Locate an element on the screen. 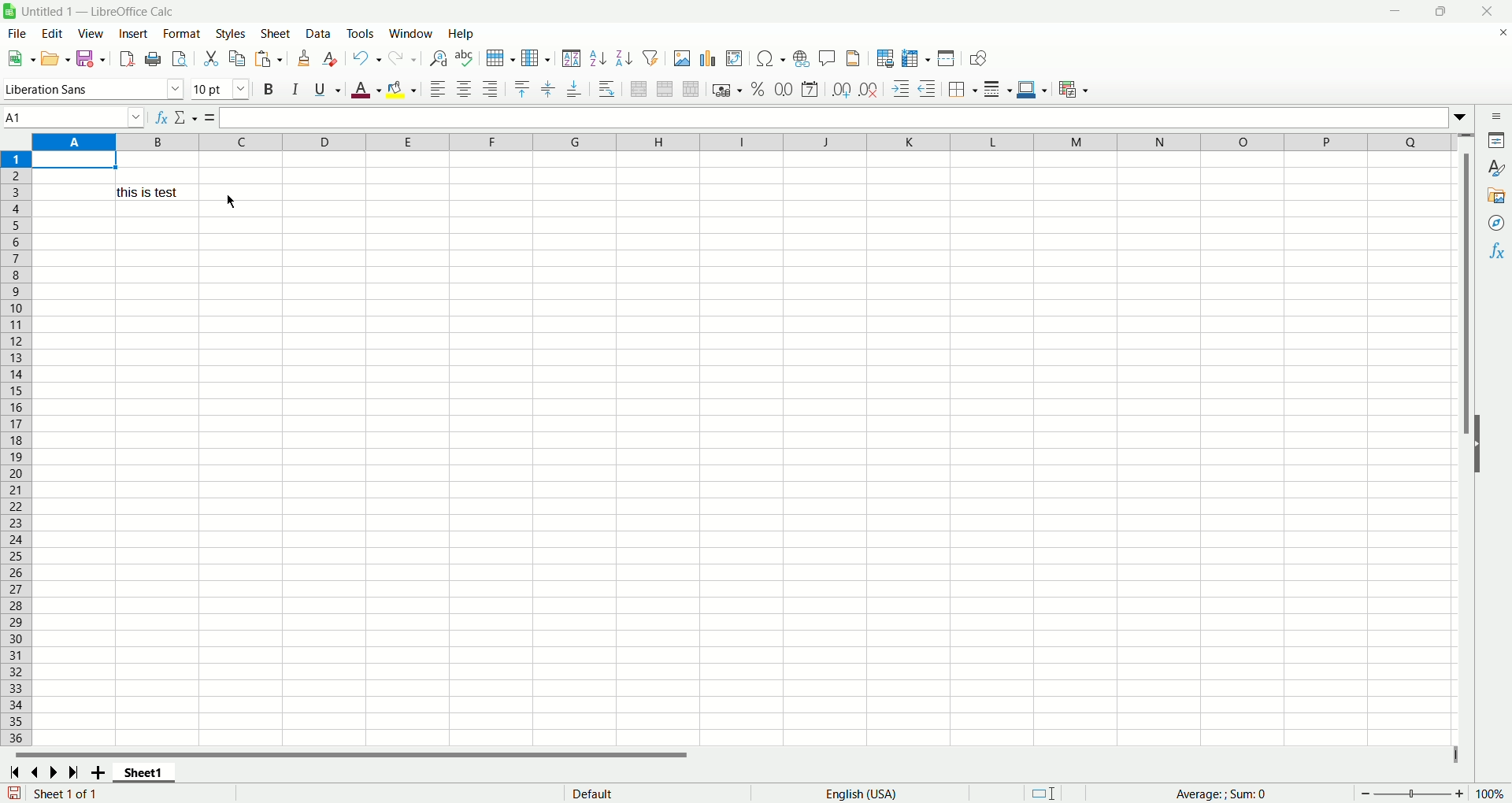 The height and width of the screenshot is (803, 1512). fisrt sheet is located at coordinates (13, 772).